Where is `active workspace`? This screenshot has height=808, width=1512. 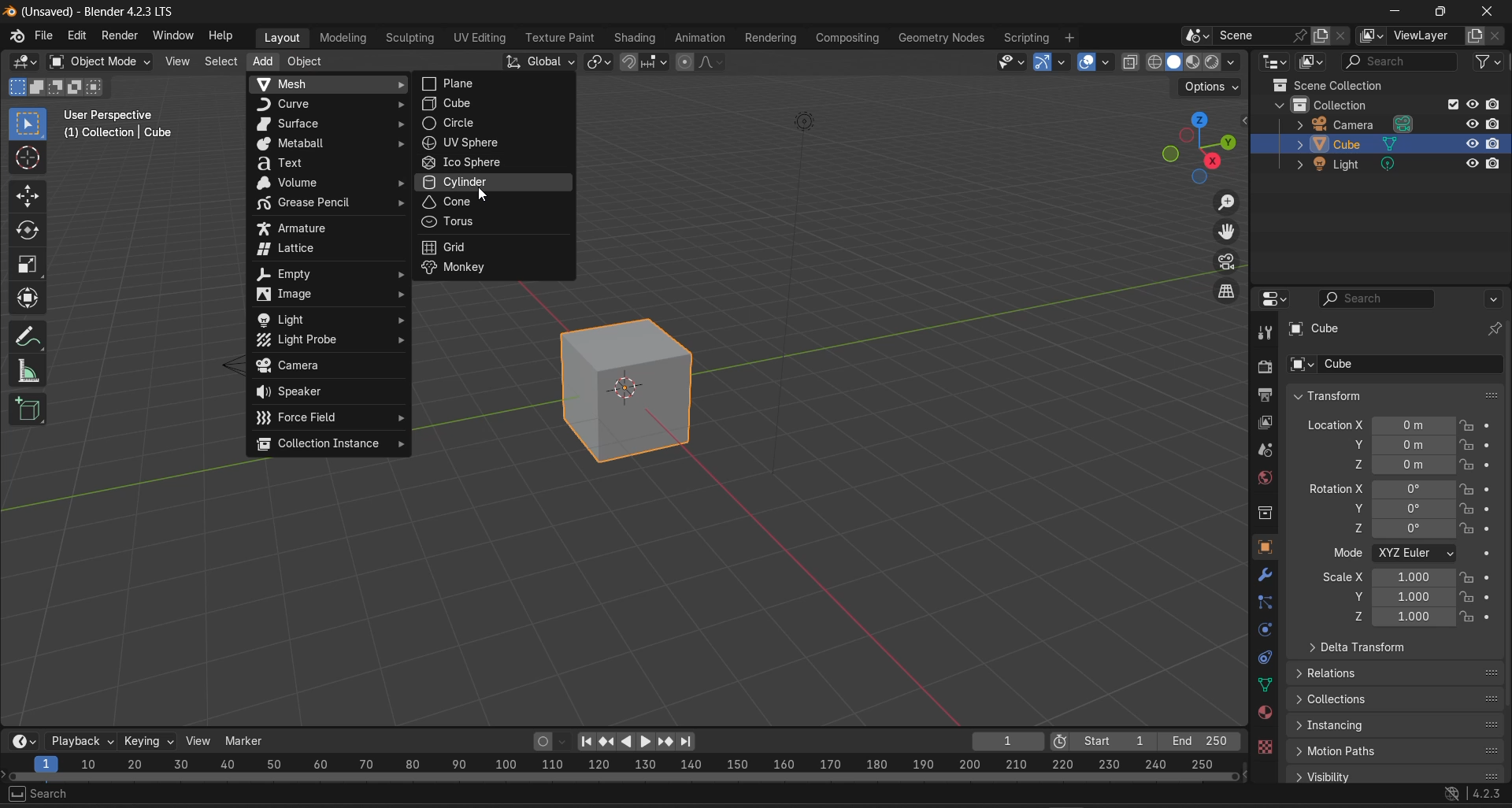
active workspace is located at coordinates (1372, 37).